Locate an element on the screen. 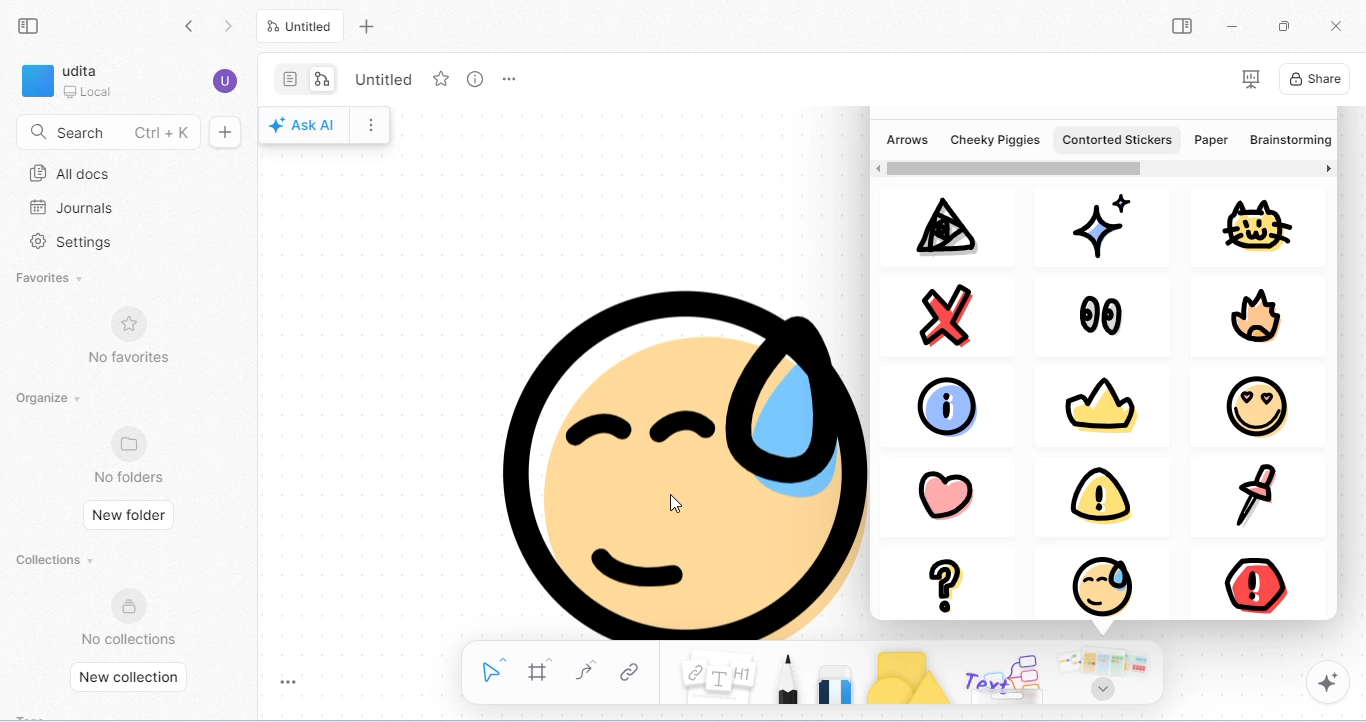 The height and width of the screenshot is (722, 1366). frame is located at coordinates (540, 670).